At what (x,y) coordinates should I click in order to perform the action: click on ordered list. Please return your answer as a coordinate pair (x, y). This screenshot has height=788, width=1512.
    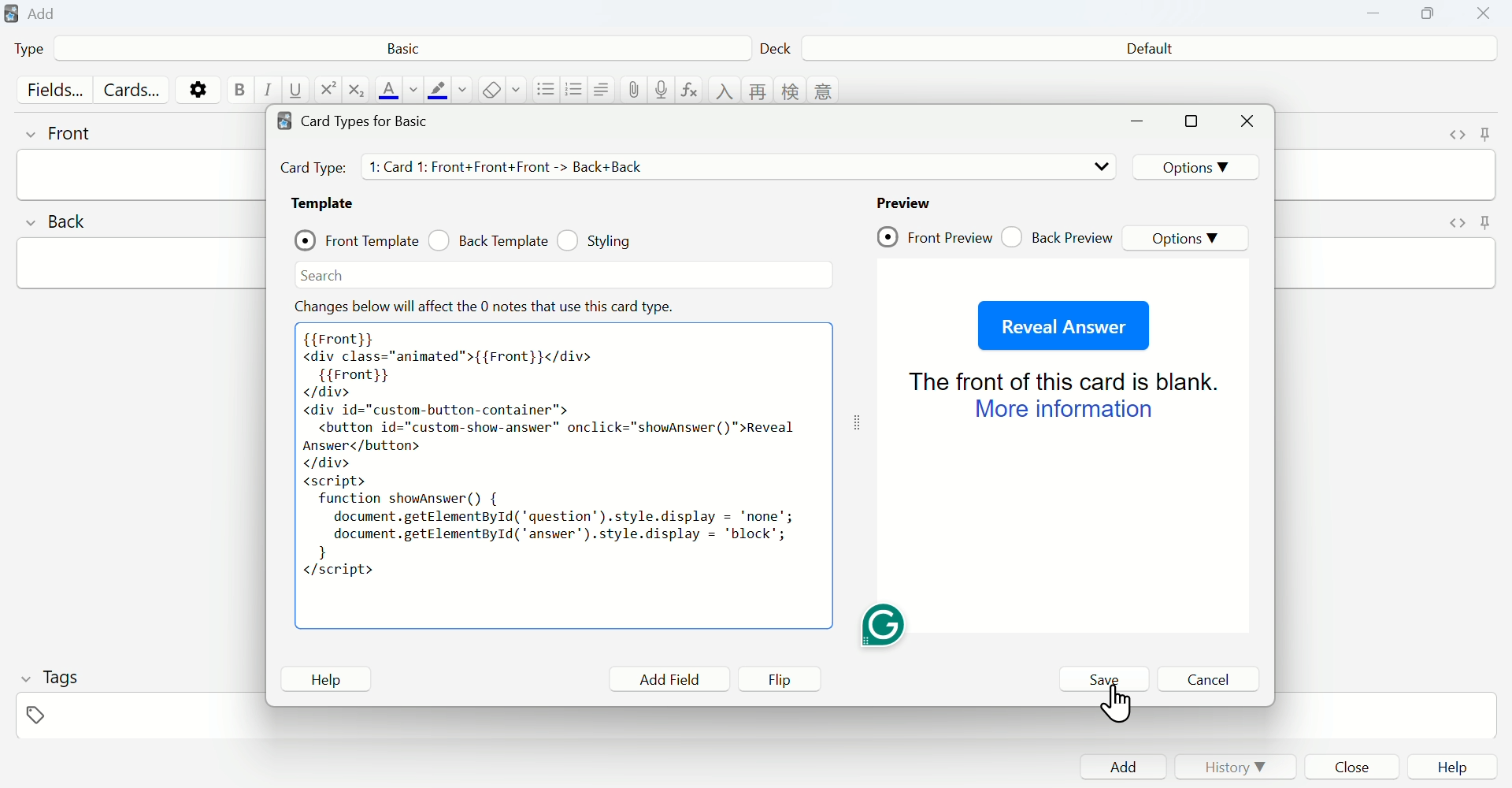
    Looking at the image, I should click on (574, 90).